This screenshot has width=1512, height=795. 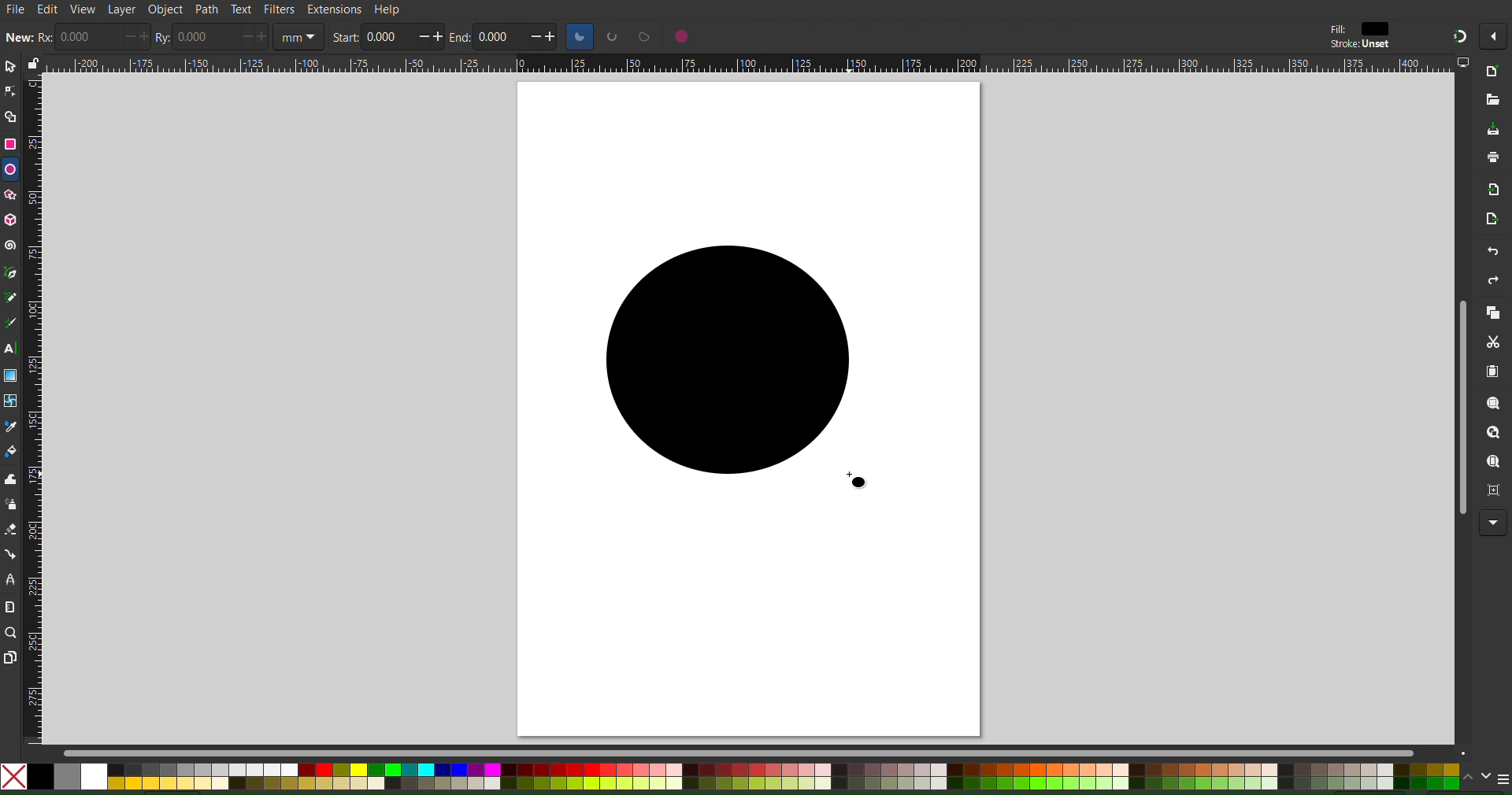 I want to click on Open Export, so click(x=1495, y=217).